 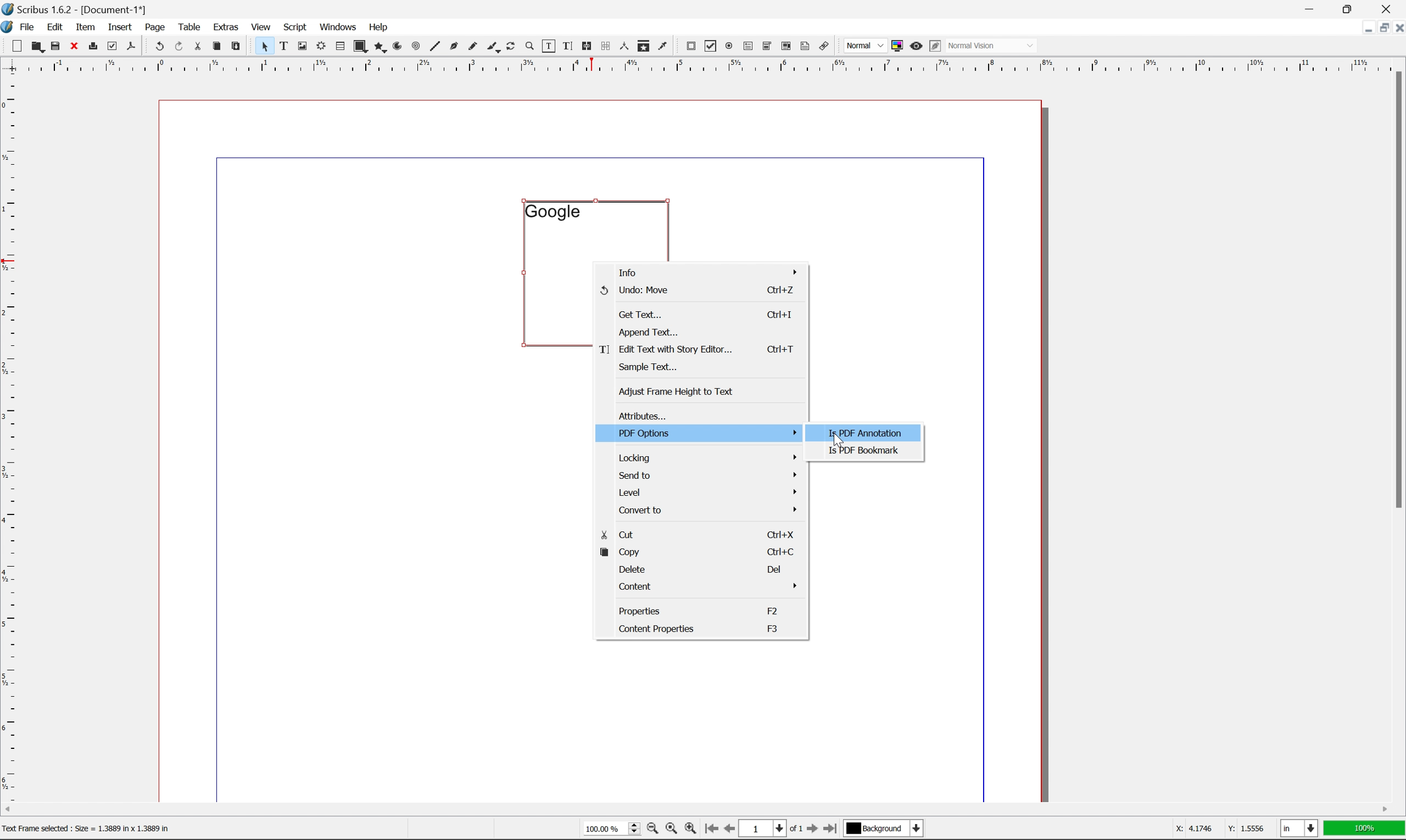 What do you see at coordinates (635, 290) in the screenshot?
I see `Undo: move` at bounding box center [635, 290].